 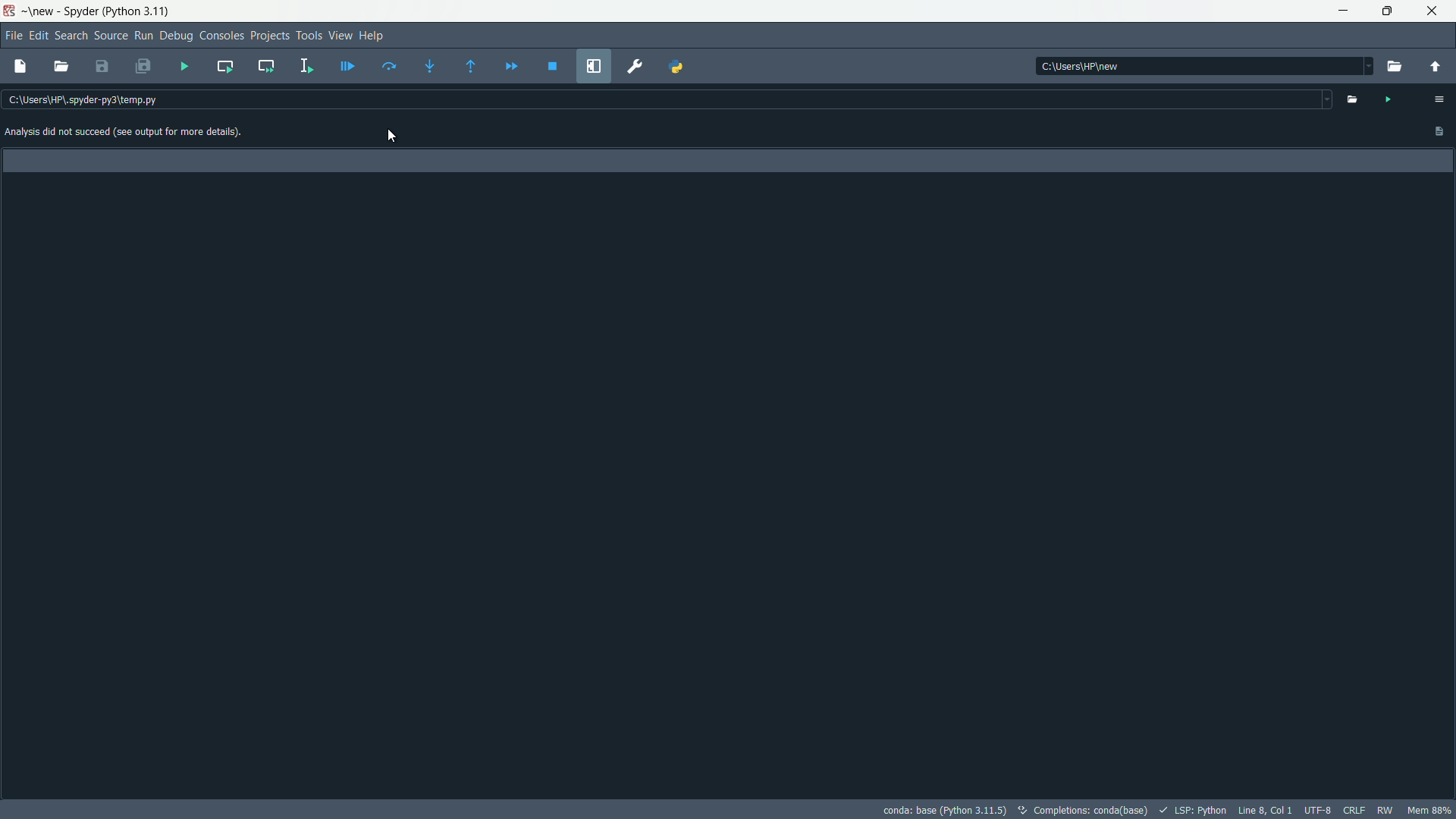 What do you see at coordinates (1192, 809) in the screenshot?
I see `LSP:Python` at bounding box center [1192, 809].